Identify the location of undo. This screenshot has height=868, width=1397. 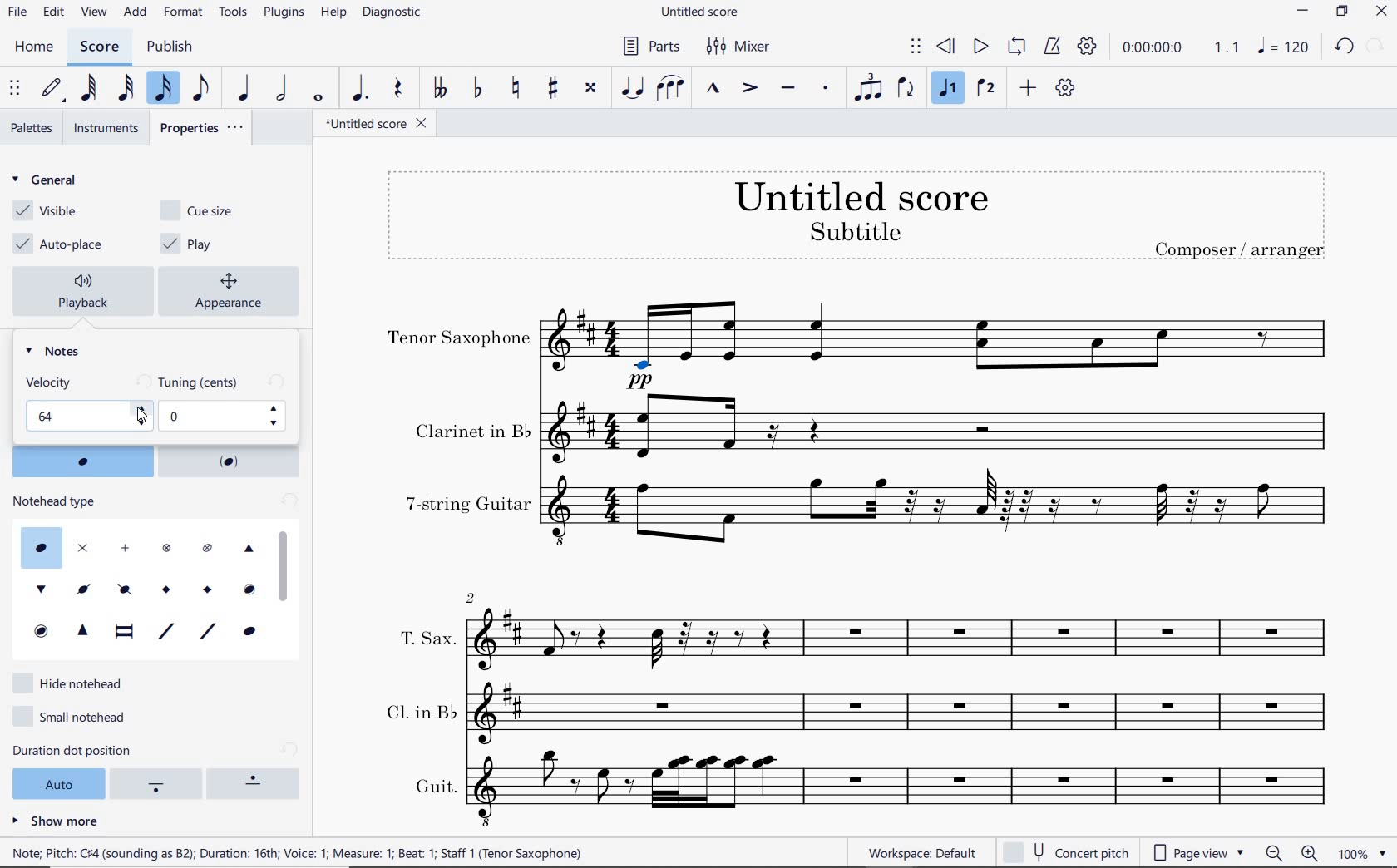
(1345, 47).